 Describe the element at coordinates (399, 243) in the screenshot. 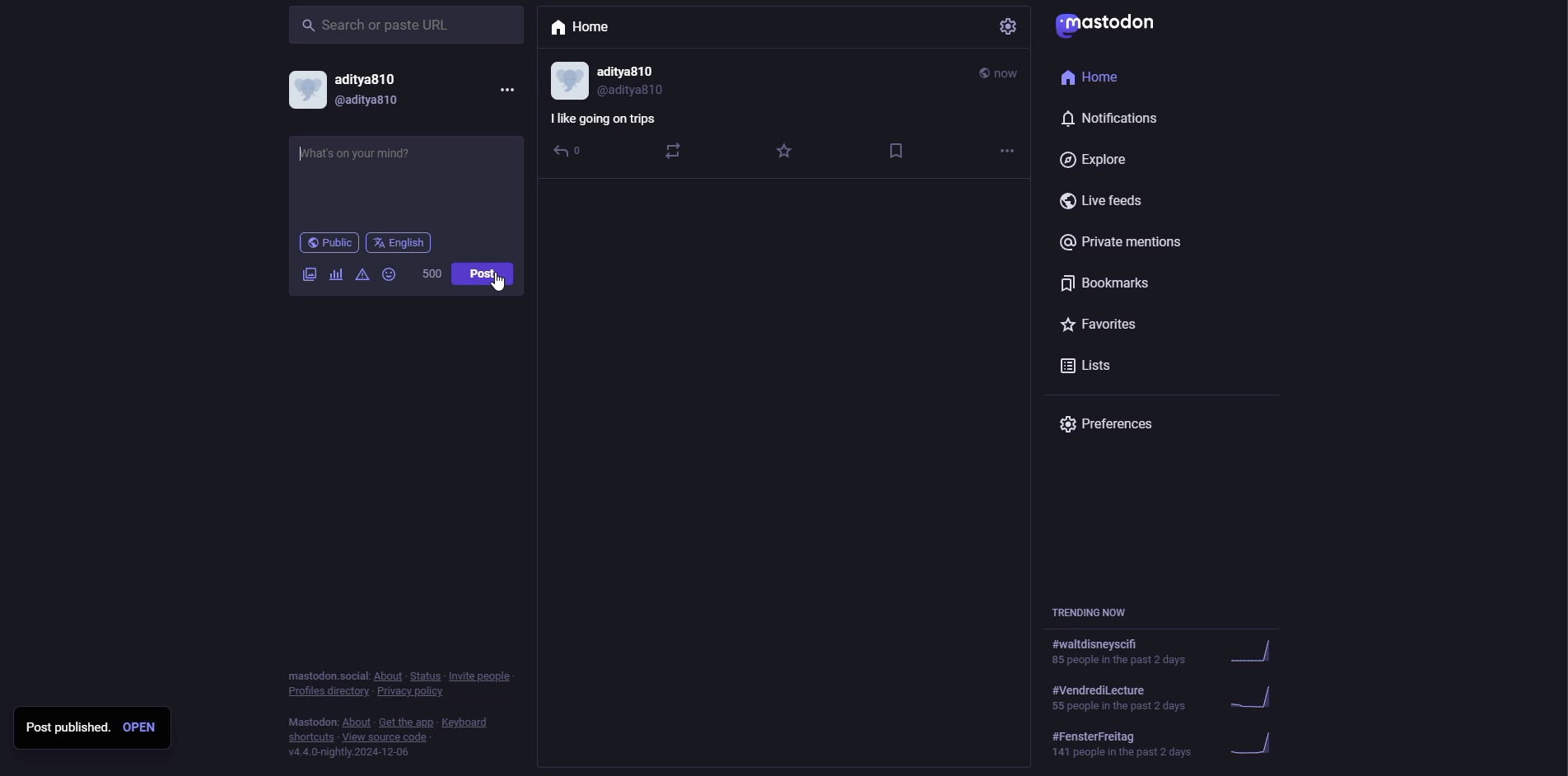

I see `english` at that location.